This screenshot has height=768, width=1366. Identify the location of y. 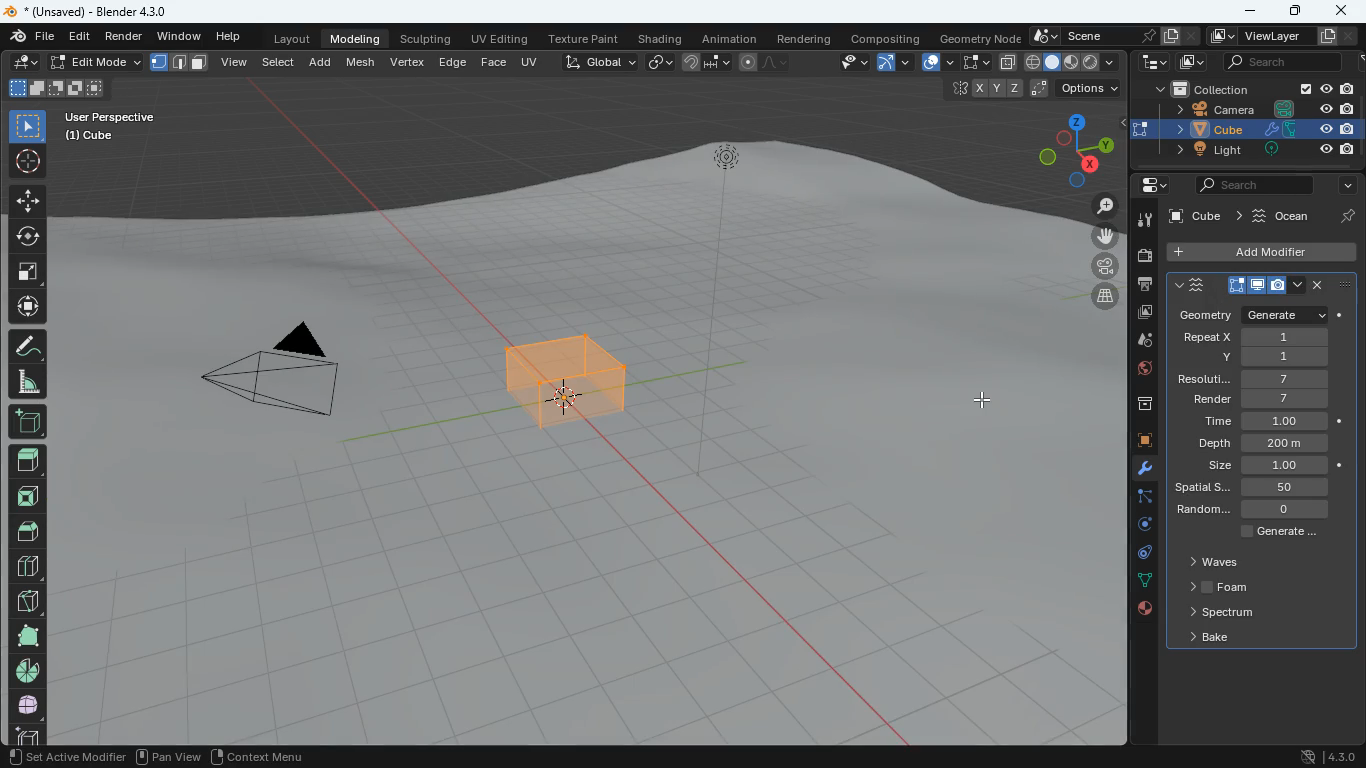
(1264, 356).